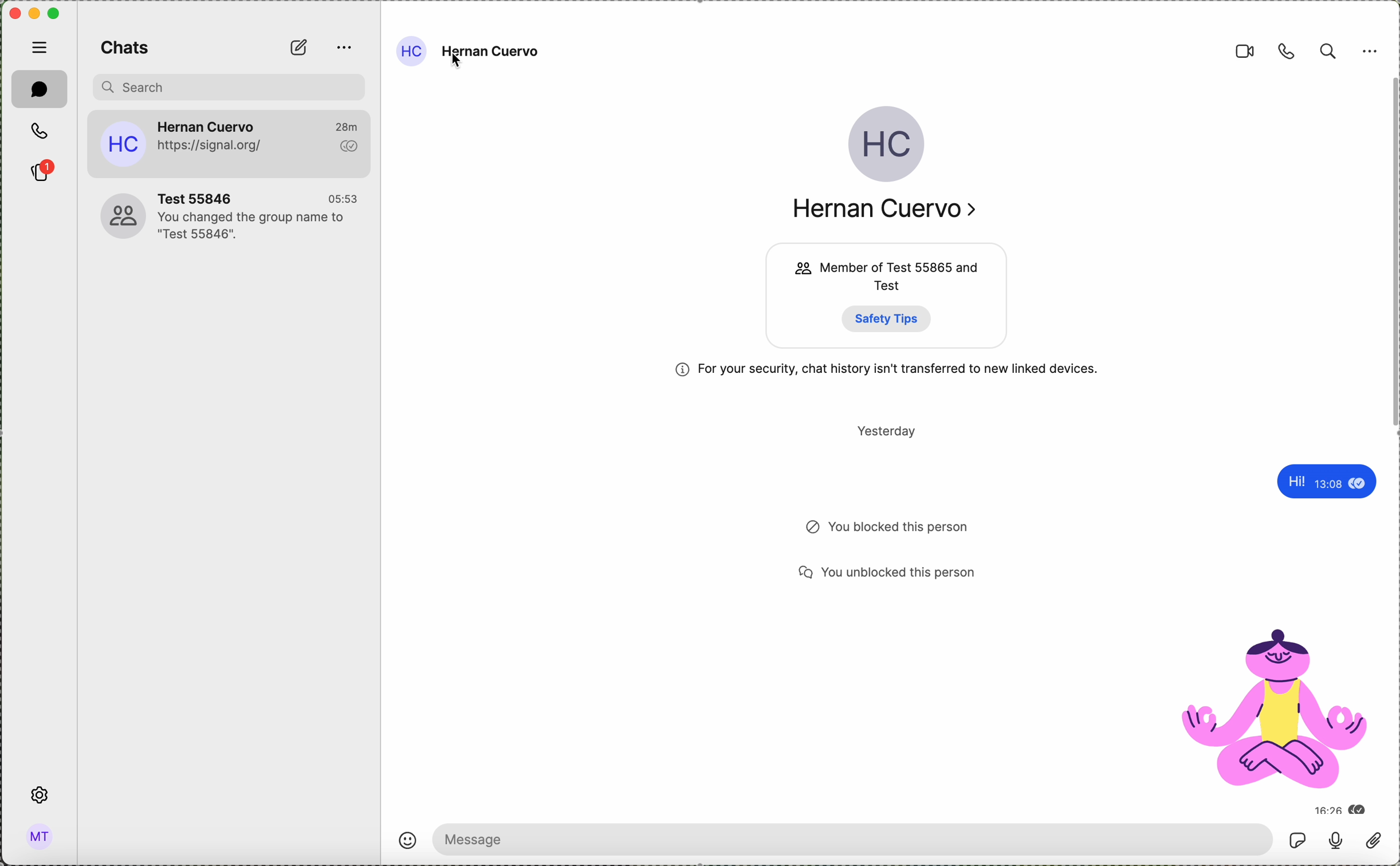 The width and height of the screenshot is (1400, 866). What do you see at coordinates (214, 146) in the screenshot?
I see `https://signal.org/` at bounding box center [214, 146].